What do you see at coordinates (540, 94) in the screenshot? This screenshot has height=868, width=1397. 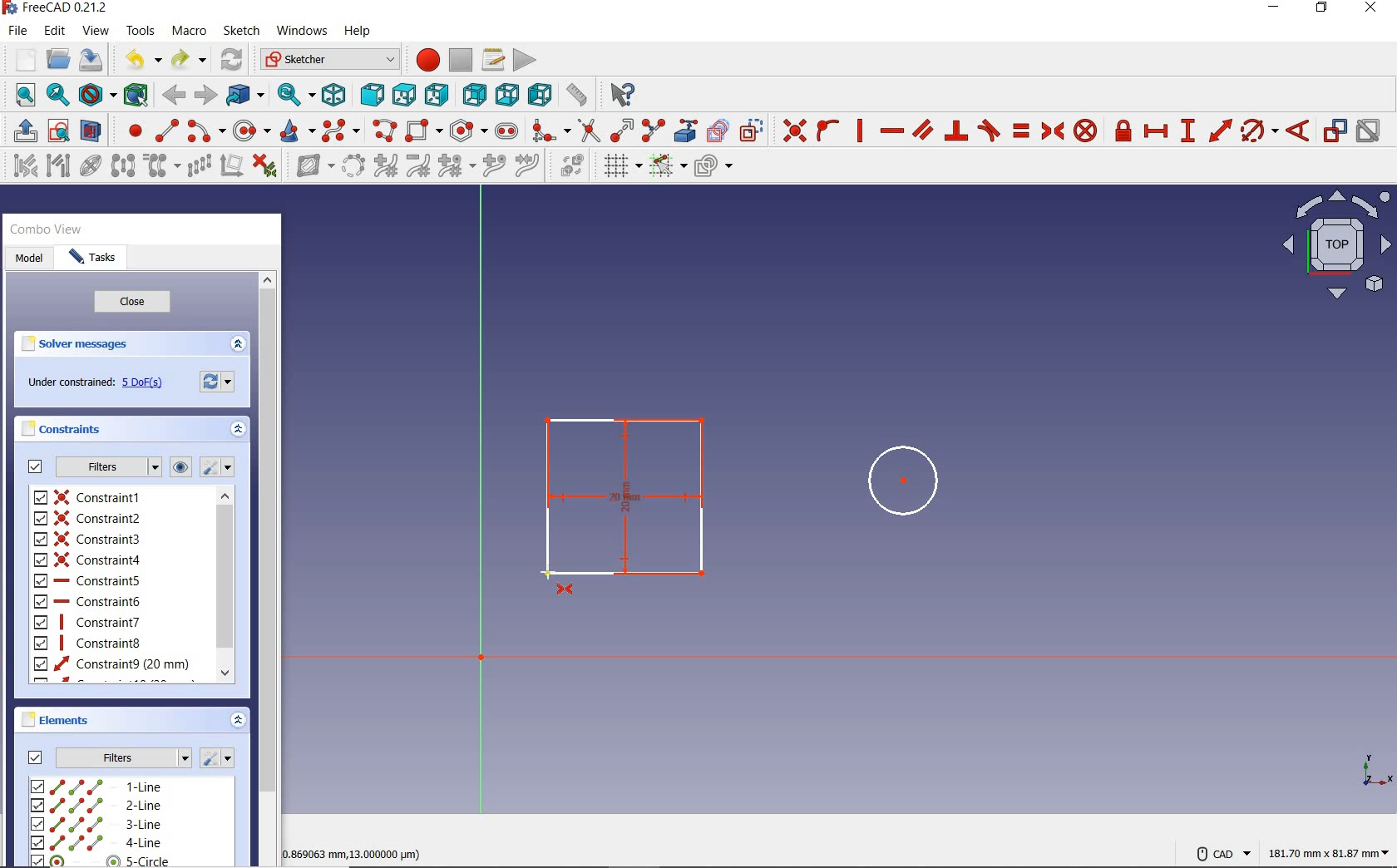 I see `left` at bounding box center [540, 94].